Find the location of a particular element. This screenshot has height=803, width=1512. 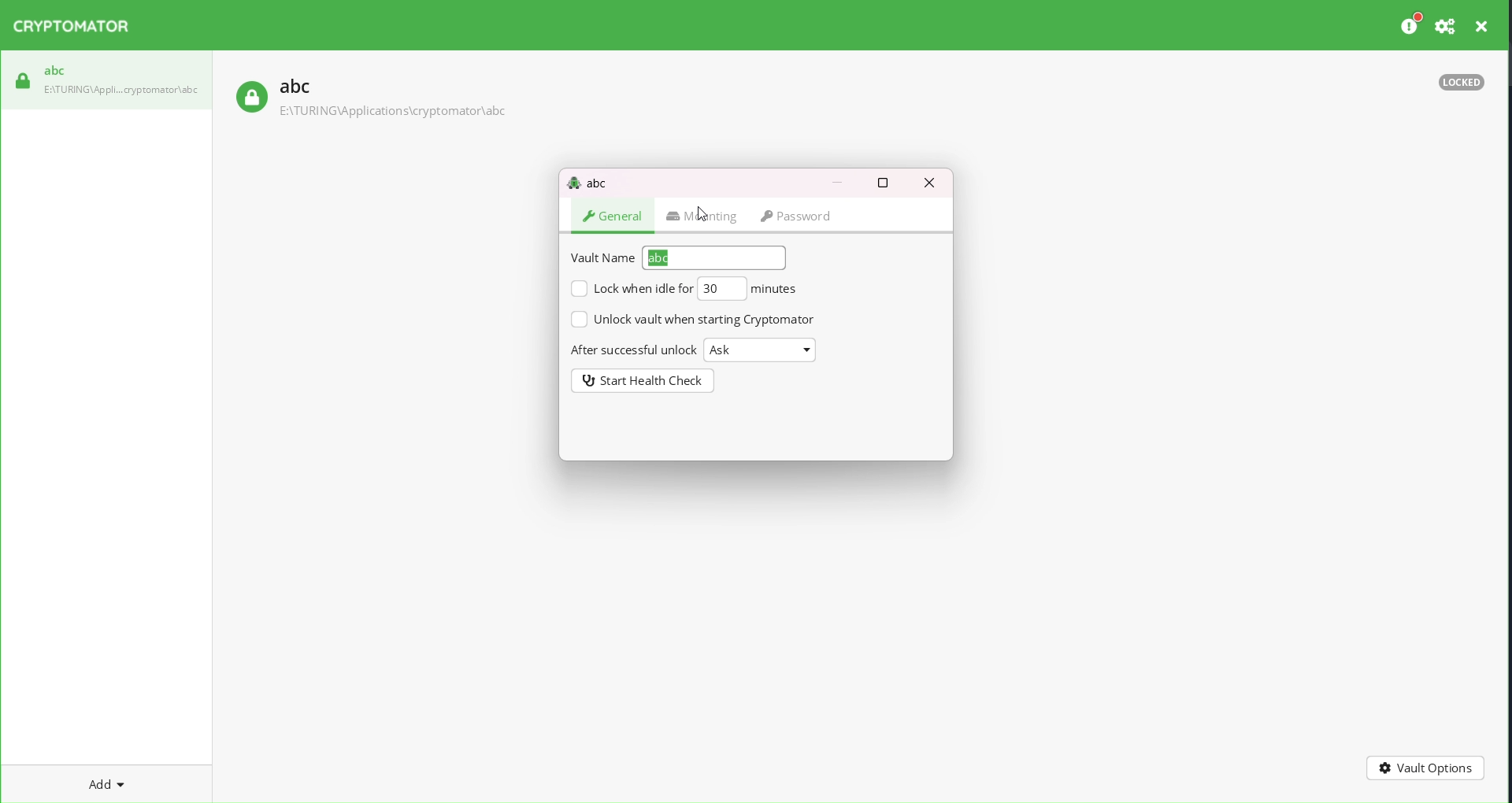

unlock vault when starting app is located at coordinates (695, 320).